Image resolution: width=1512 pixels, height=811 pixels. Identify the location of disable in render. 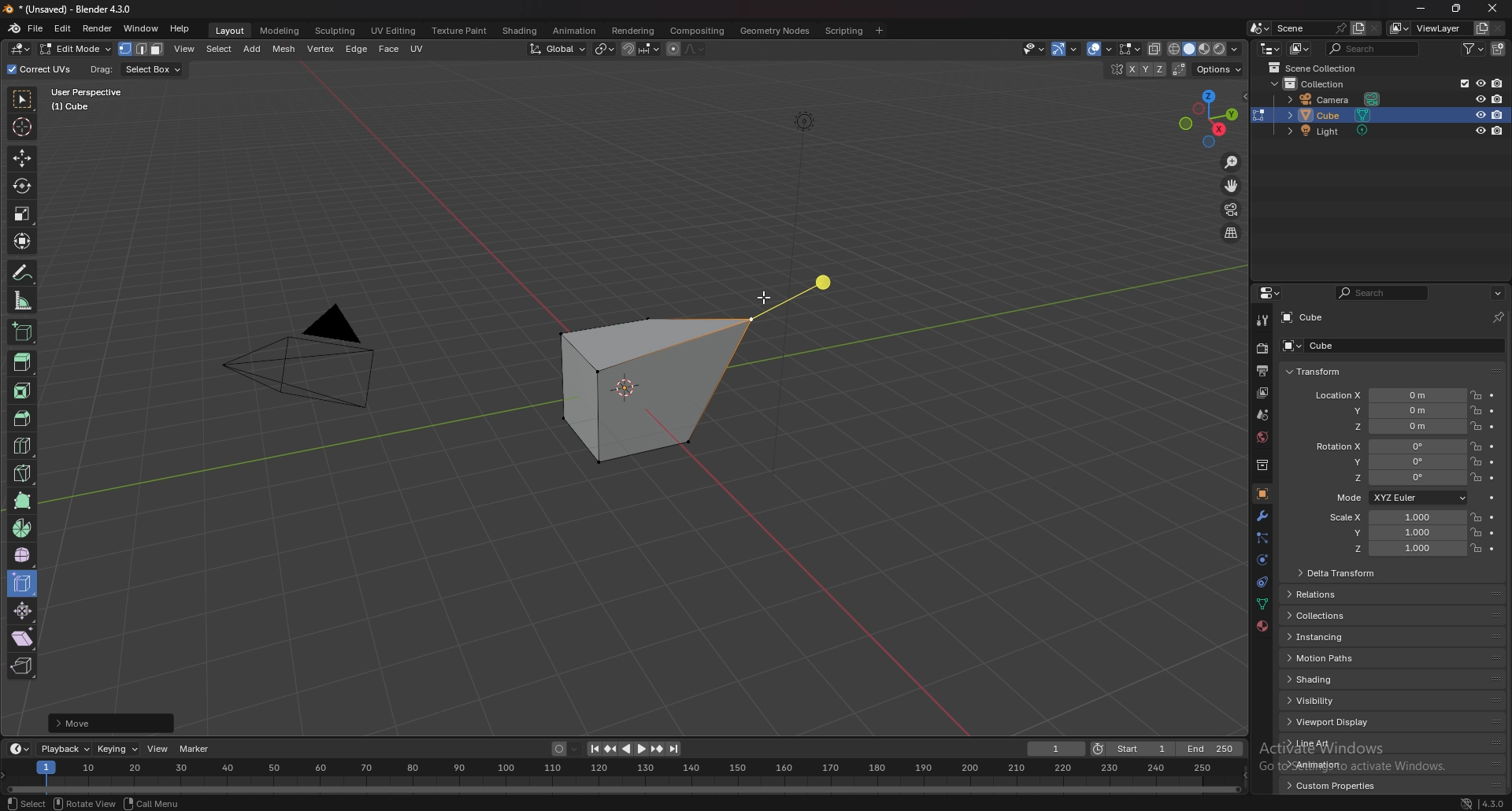
(1498, 83).